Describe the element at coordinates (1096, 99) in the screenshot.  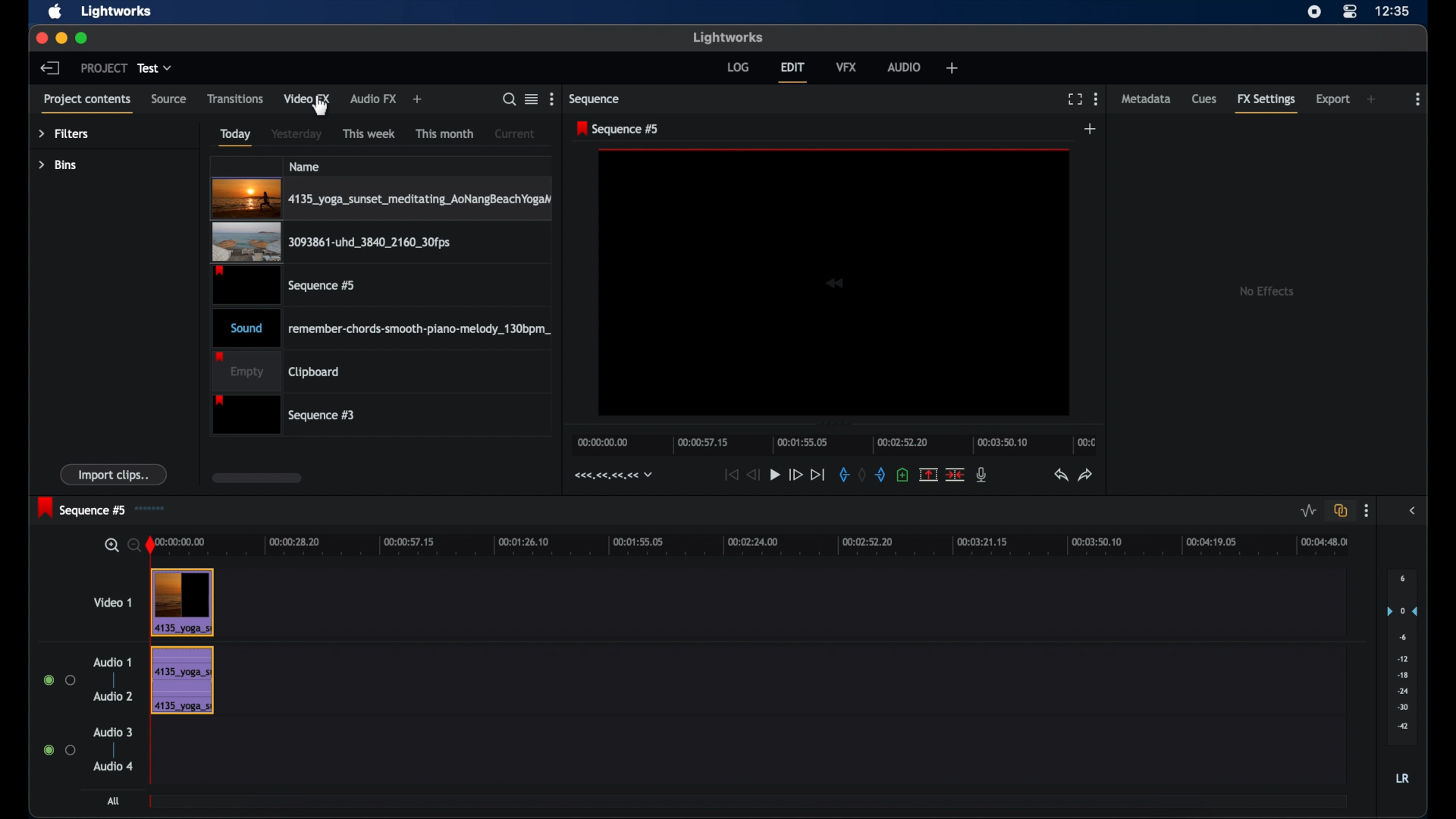
I see `more options` at that location.